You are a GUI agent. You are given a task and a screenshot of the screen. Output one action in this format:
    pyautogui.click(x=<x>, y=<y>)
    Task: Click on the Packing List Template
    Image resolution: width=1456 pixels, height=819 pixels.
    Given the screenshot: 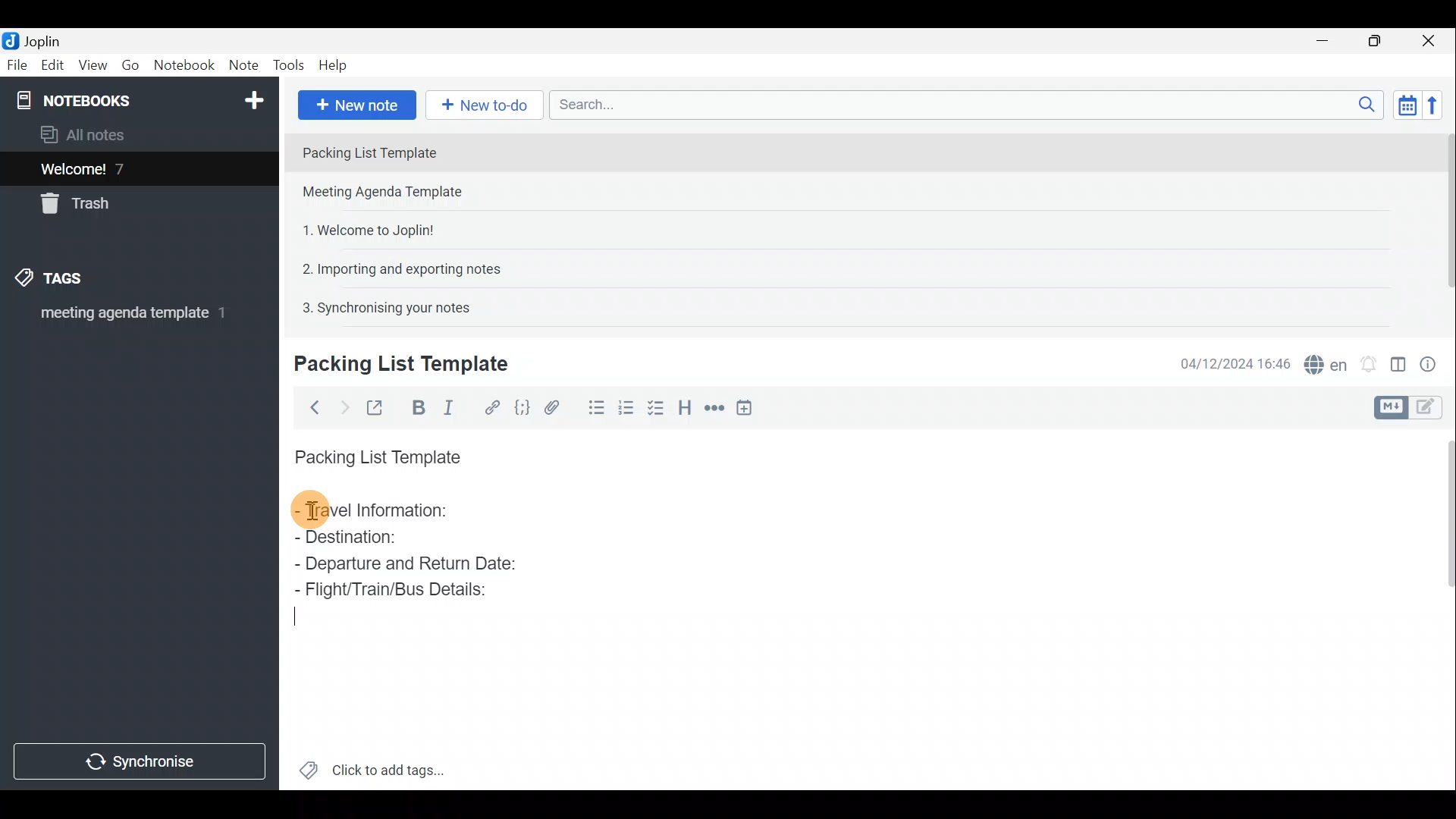 What is the action you would take?
    pyautogui.click(x=375, y=453)
    